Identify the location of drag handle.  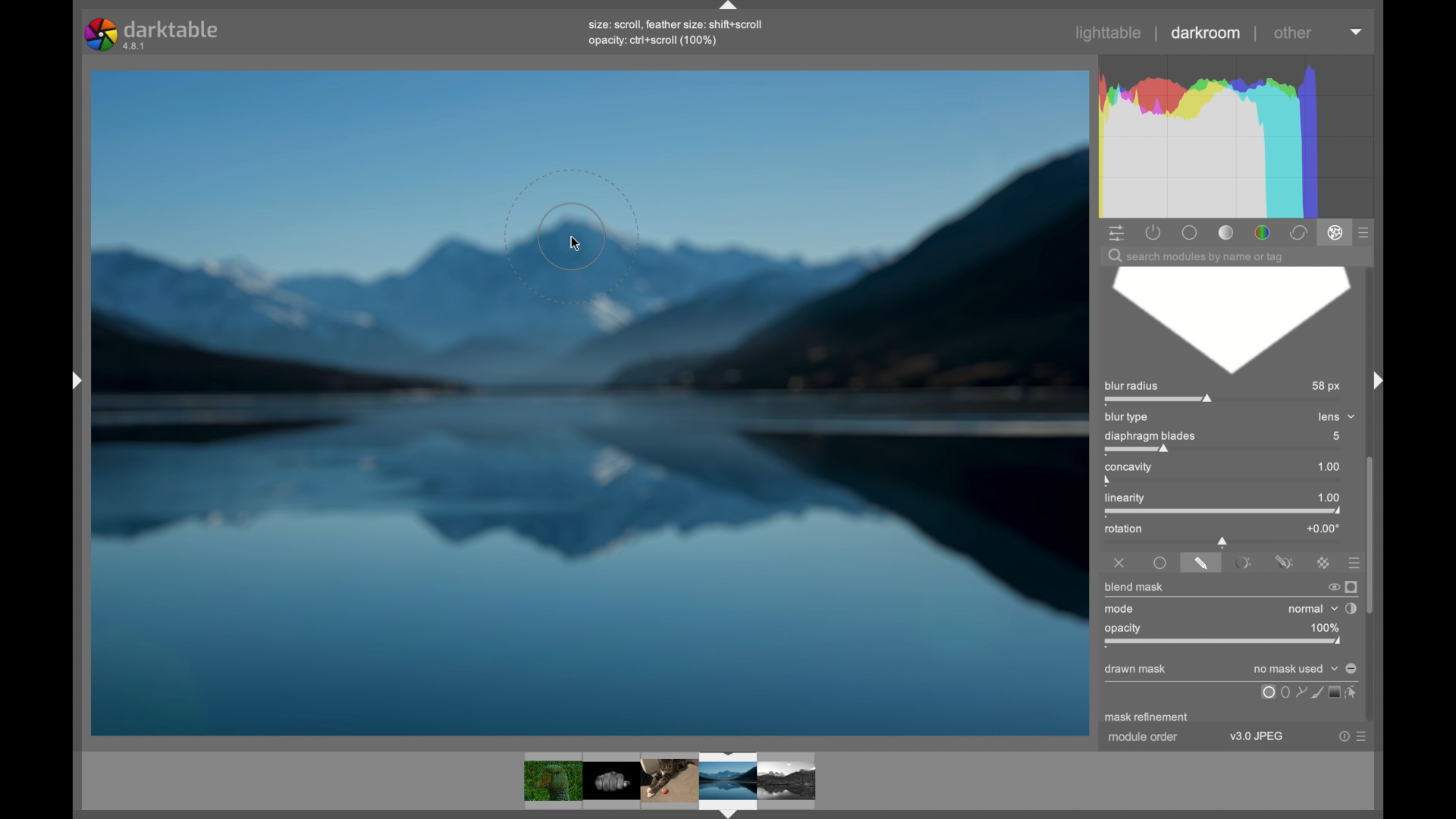
(75, 382).